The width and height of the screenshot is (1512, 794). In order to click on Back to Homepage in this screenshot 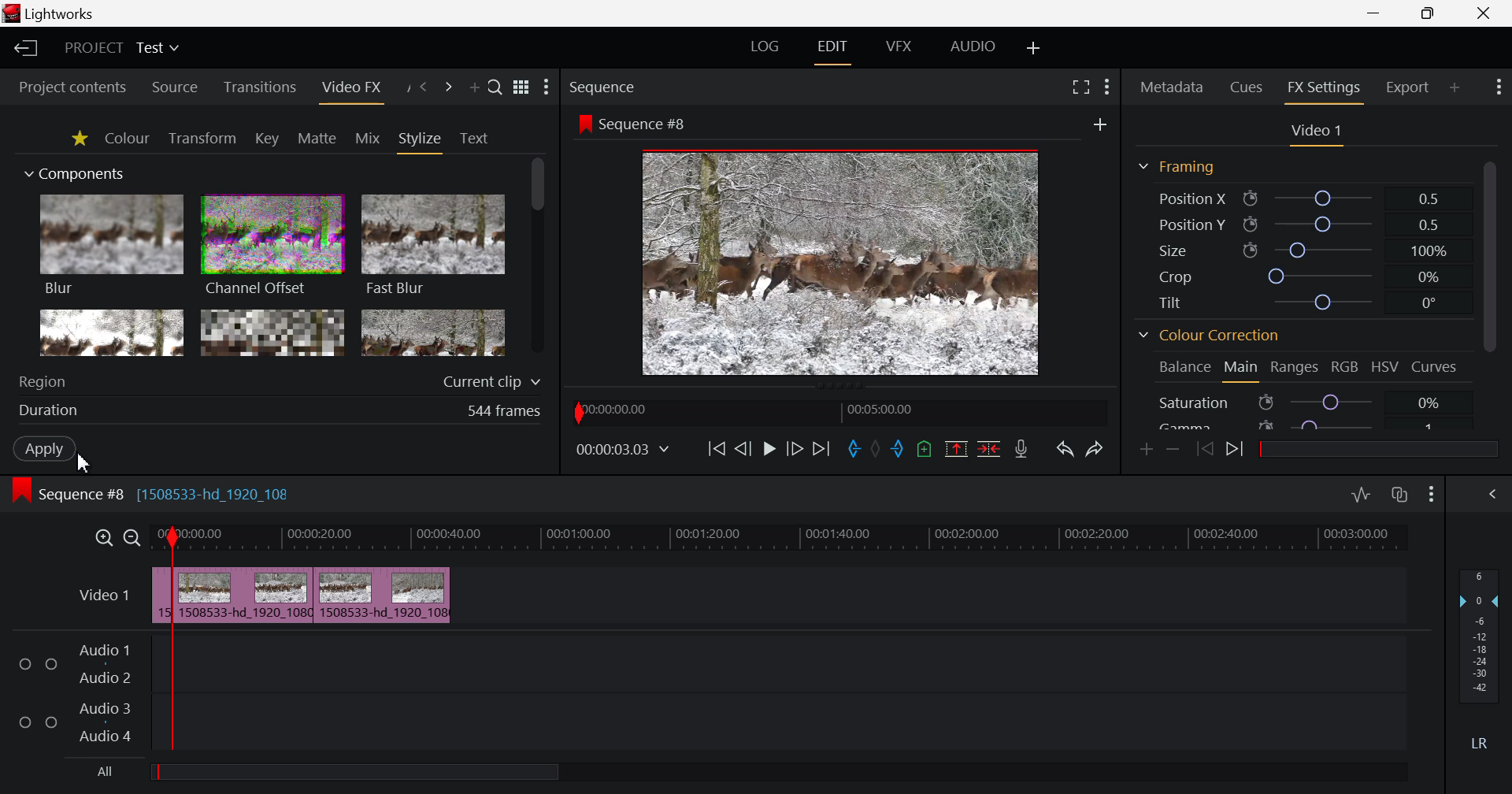, I will do `click(25, 49)`.